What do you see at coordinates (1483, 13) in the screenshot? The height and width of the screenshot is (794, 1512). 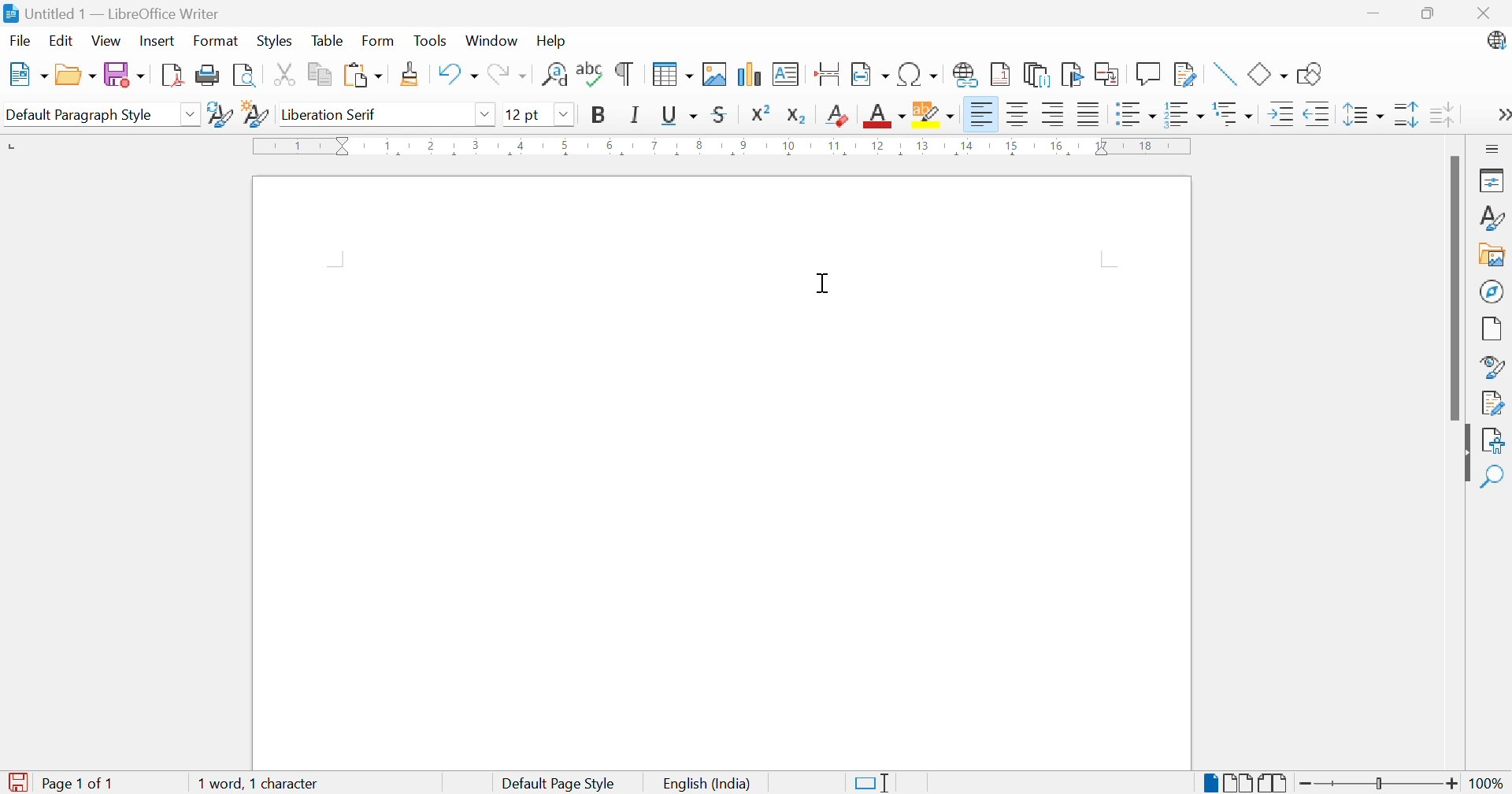 I see `Close` at bounding box center [1483, 13].